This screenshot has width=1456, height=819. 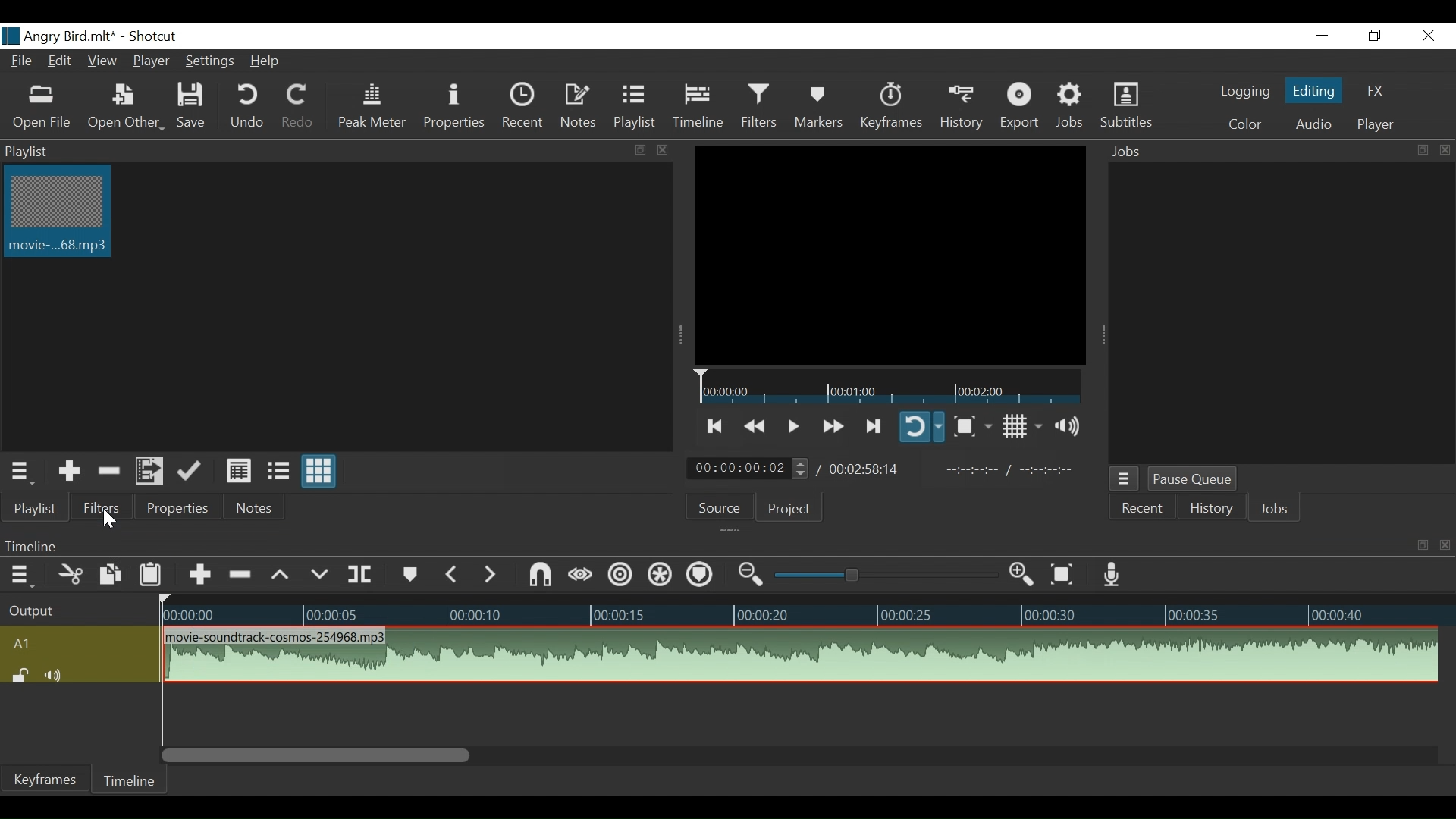 What do you see at coordinates (698, 106) in the screenshot?
I see `Timeline` at bounding box center [698, 106].